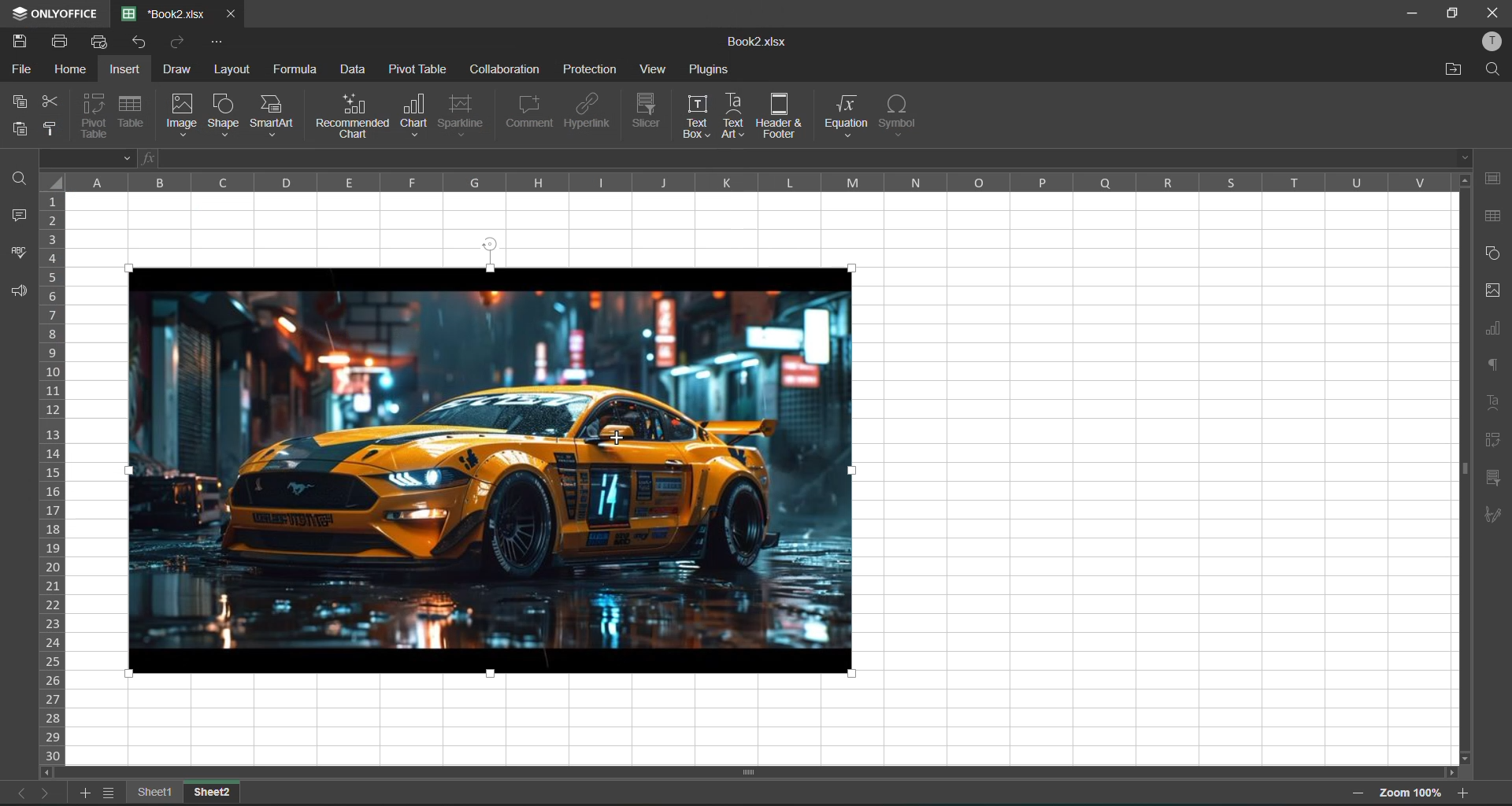 Image resolution: width=1512 pixels, height=806 pixels. What do you see at coordinates (589, 71) in the screenshot?
I see `protection` at bounding box center [589, 71].